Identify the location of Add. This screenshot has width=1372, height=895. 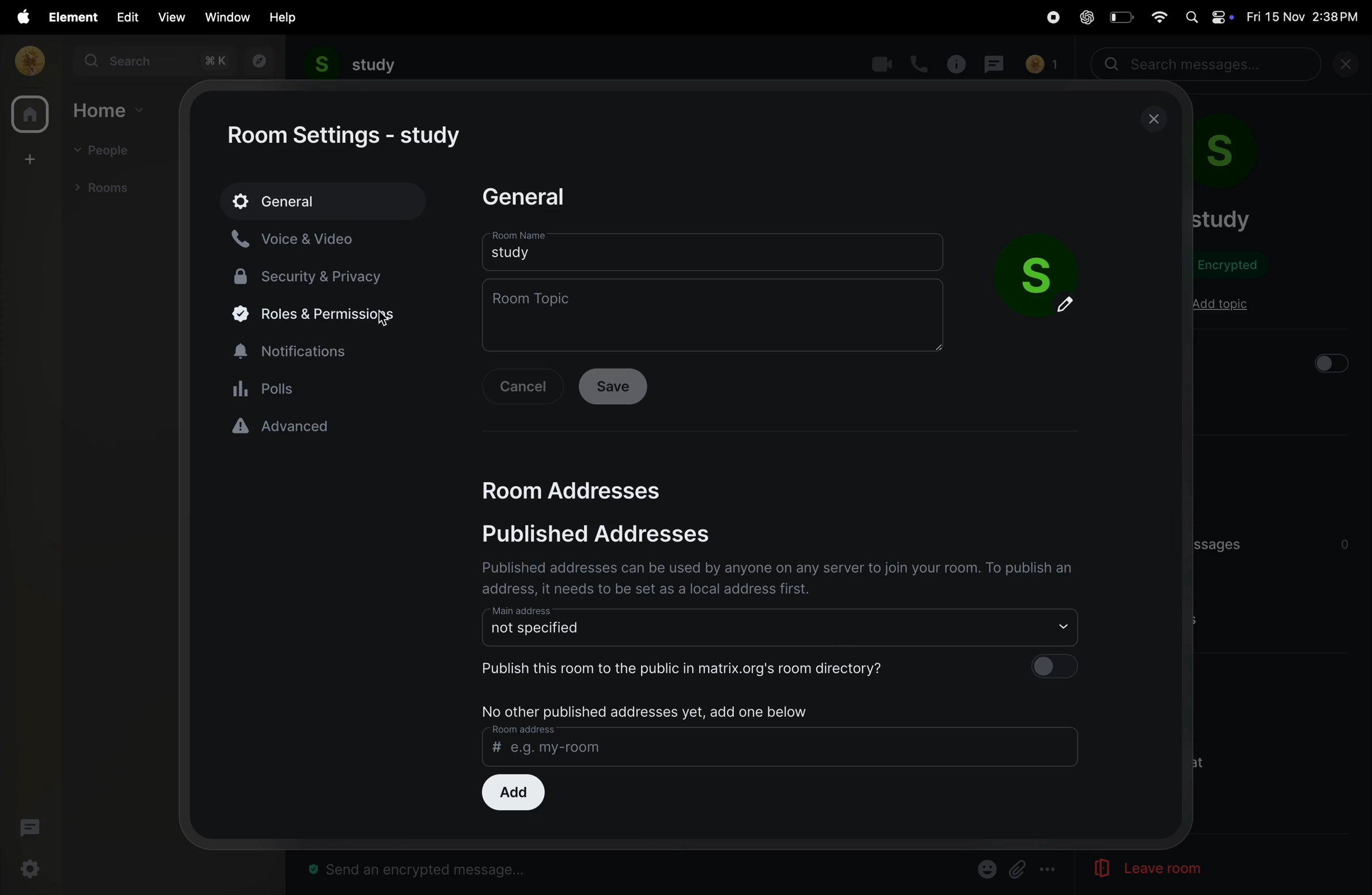
(511, 793).